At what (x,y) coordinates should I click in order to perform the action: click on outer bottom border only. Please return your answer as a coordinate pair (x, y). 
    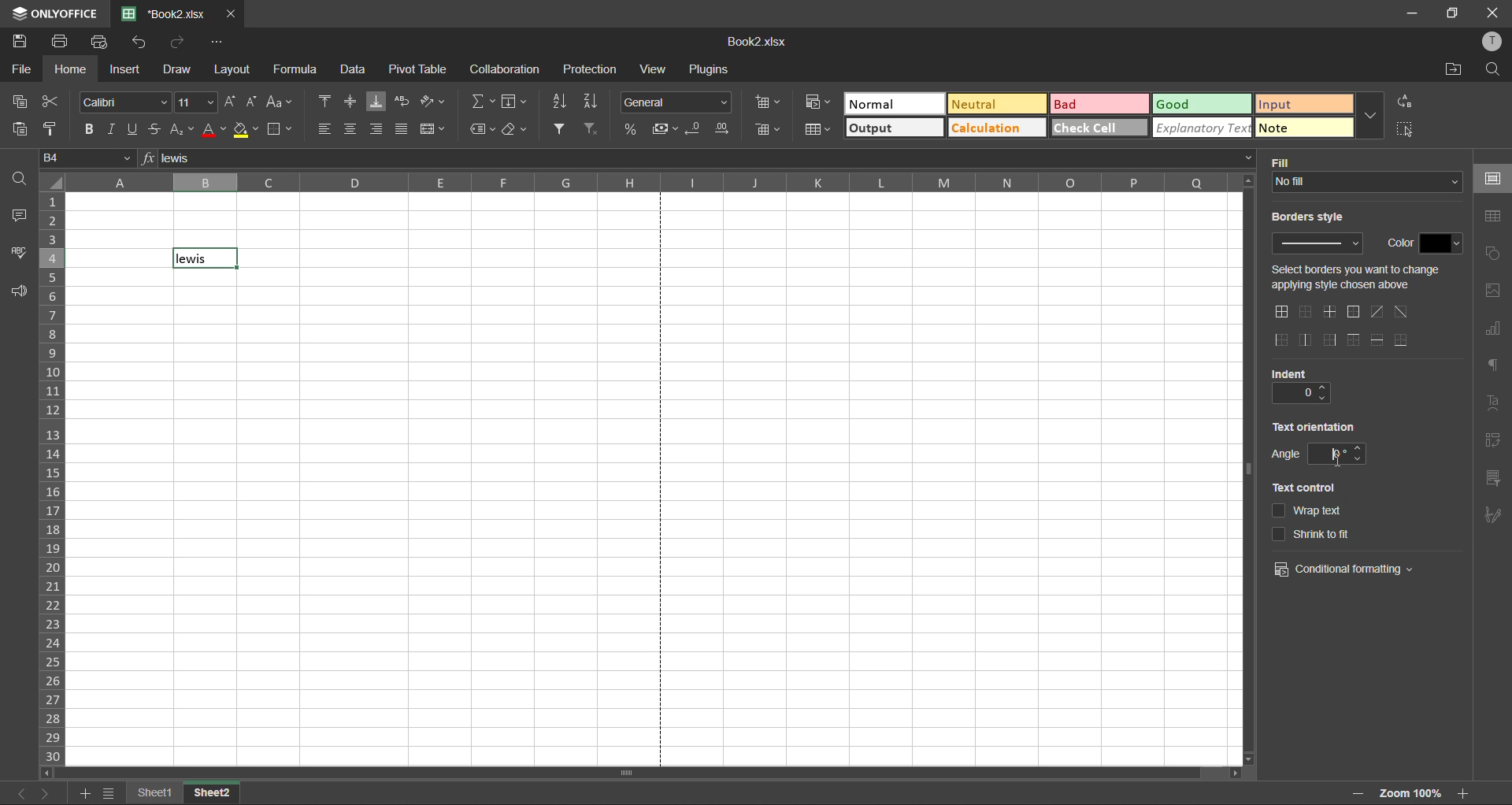
    Looking at the image, I should click on (1404, 339).